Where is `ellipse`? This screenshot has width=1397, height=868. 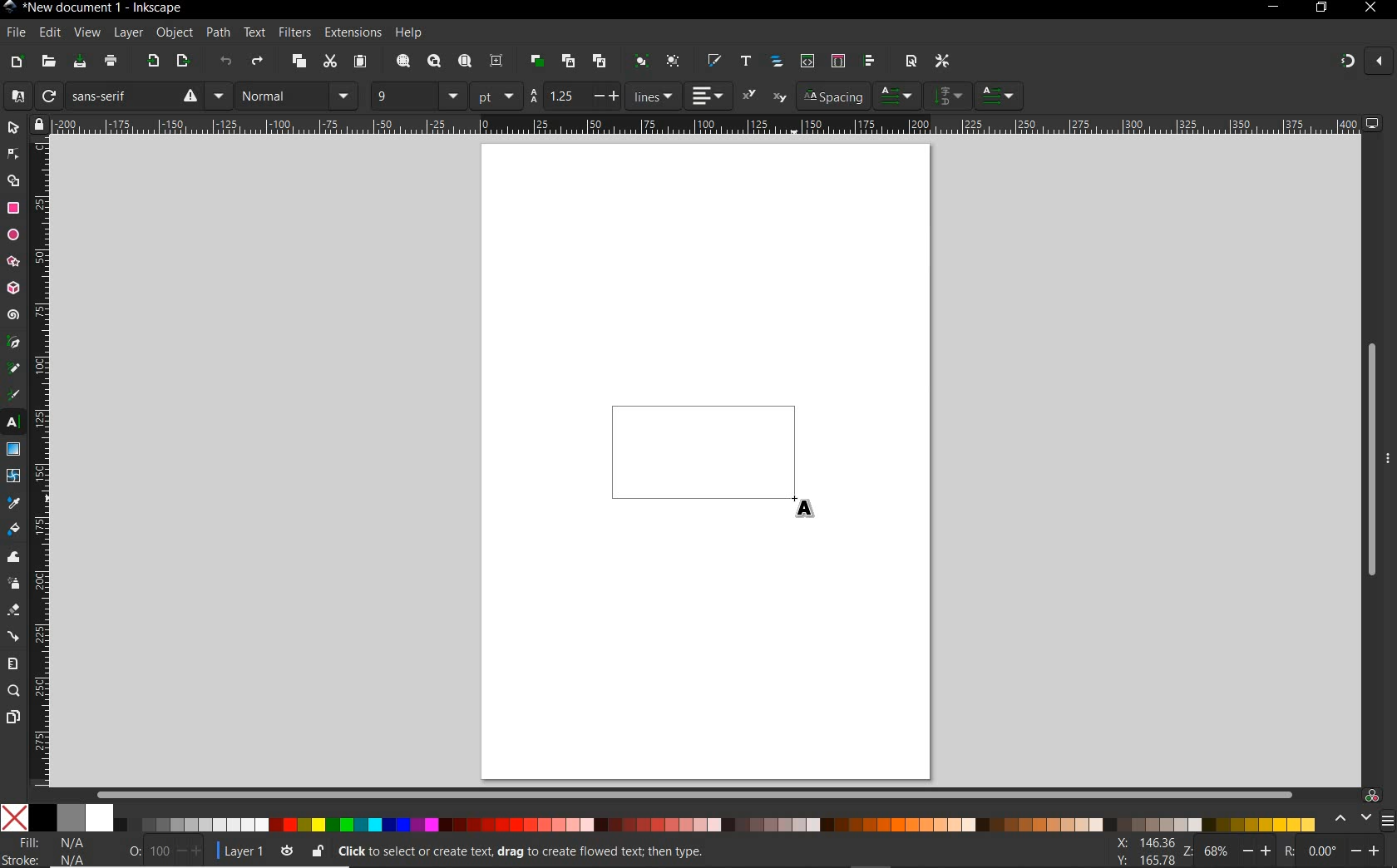 ellipse is located at coordinates (13, 235).